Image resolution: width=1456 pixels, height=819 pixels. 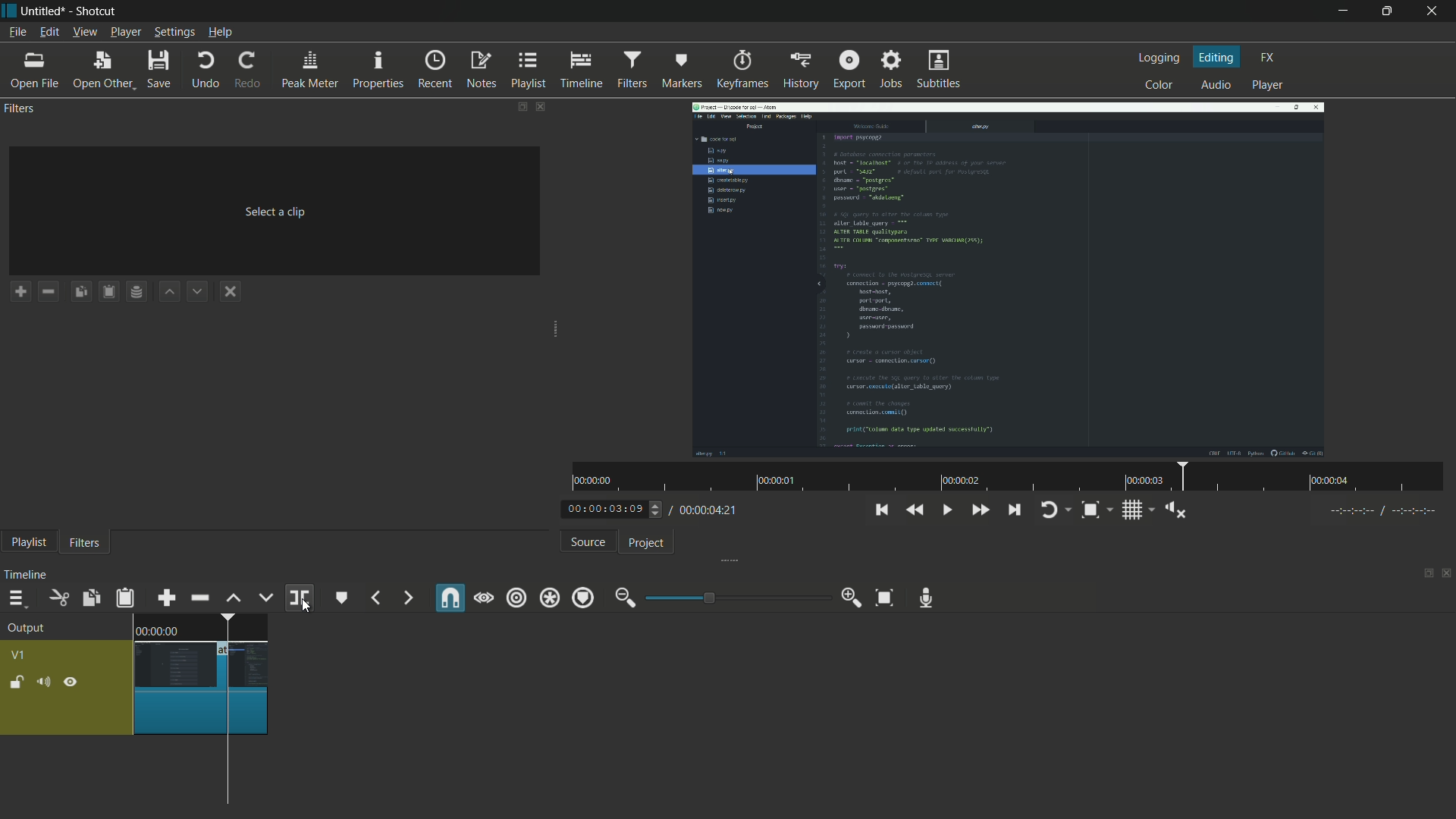 What do you see at coordinates (540, 107) in the screenshot?
I see `close filters` at bounding box center [540, 107].